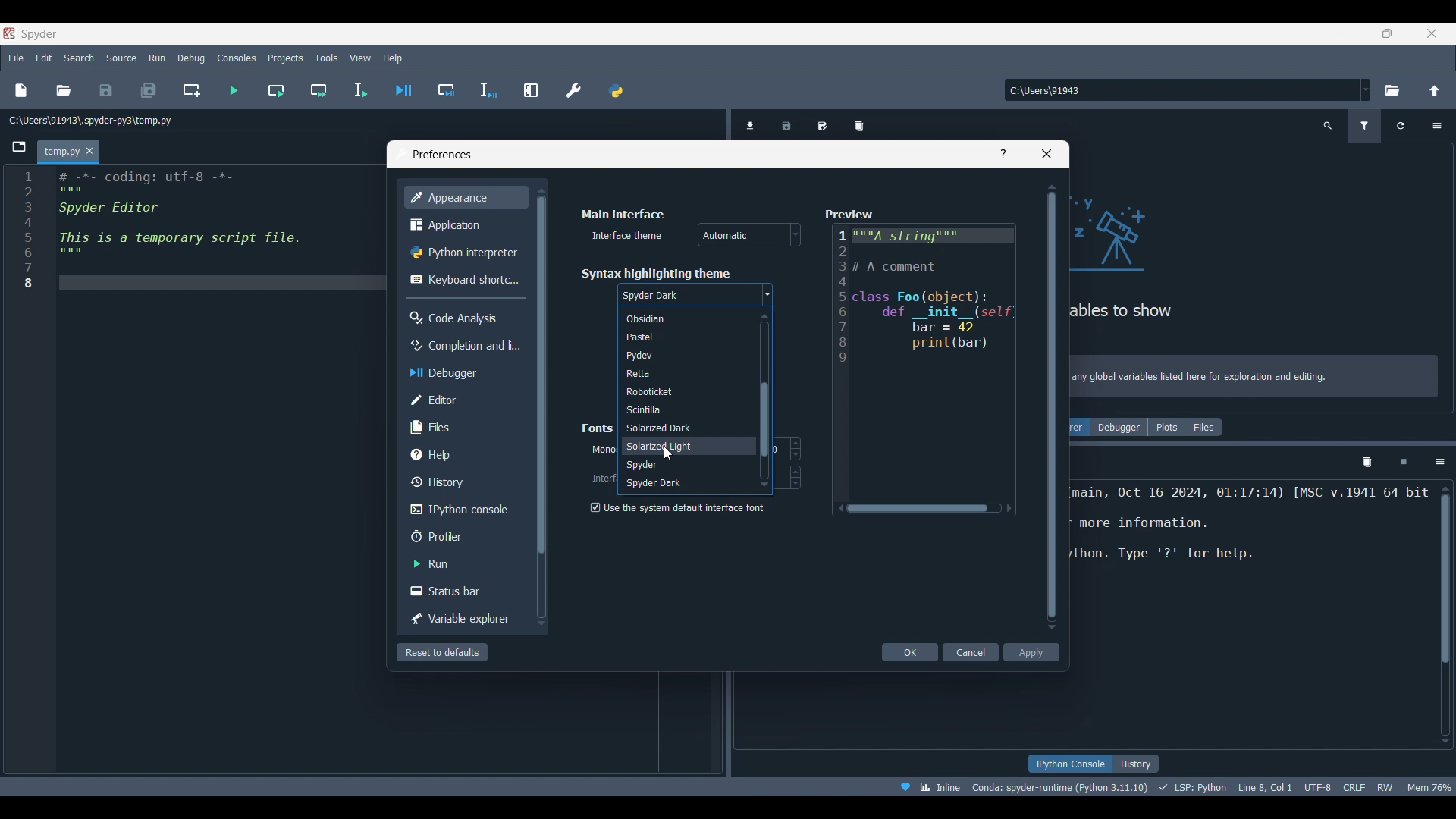  I want to click on Current tab, so click(59, 152).